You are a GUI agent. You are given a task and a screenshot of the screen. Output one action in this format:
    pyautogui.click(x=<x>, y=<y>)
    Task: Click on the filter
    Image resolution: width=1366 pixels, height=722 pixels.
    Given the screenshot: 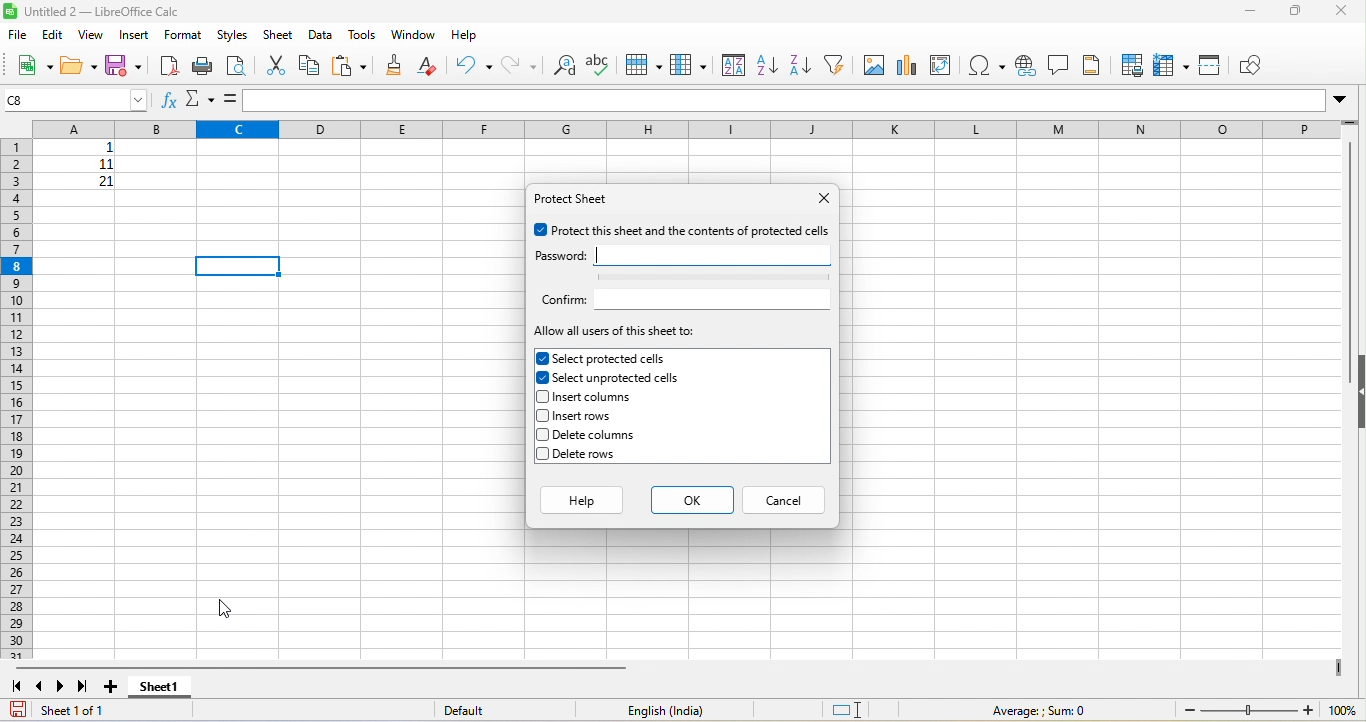 What is the action you would take?
    pyautogui.click(x=833, y=64)
    